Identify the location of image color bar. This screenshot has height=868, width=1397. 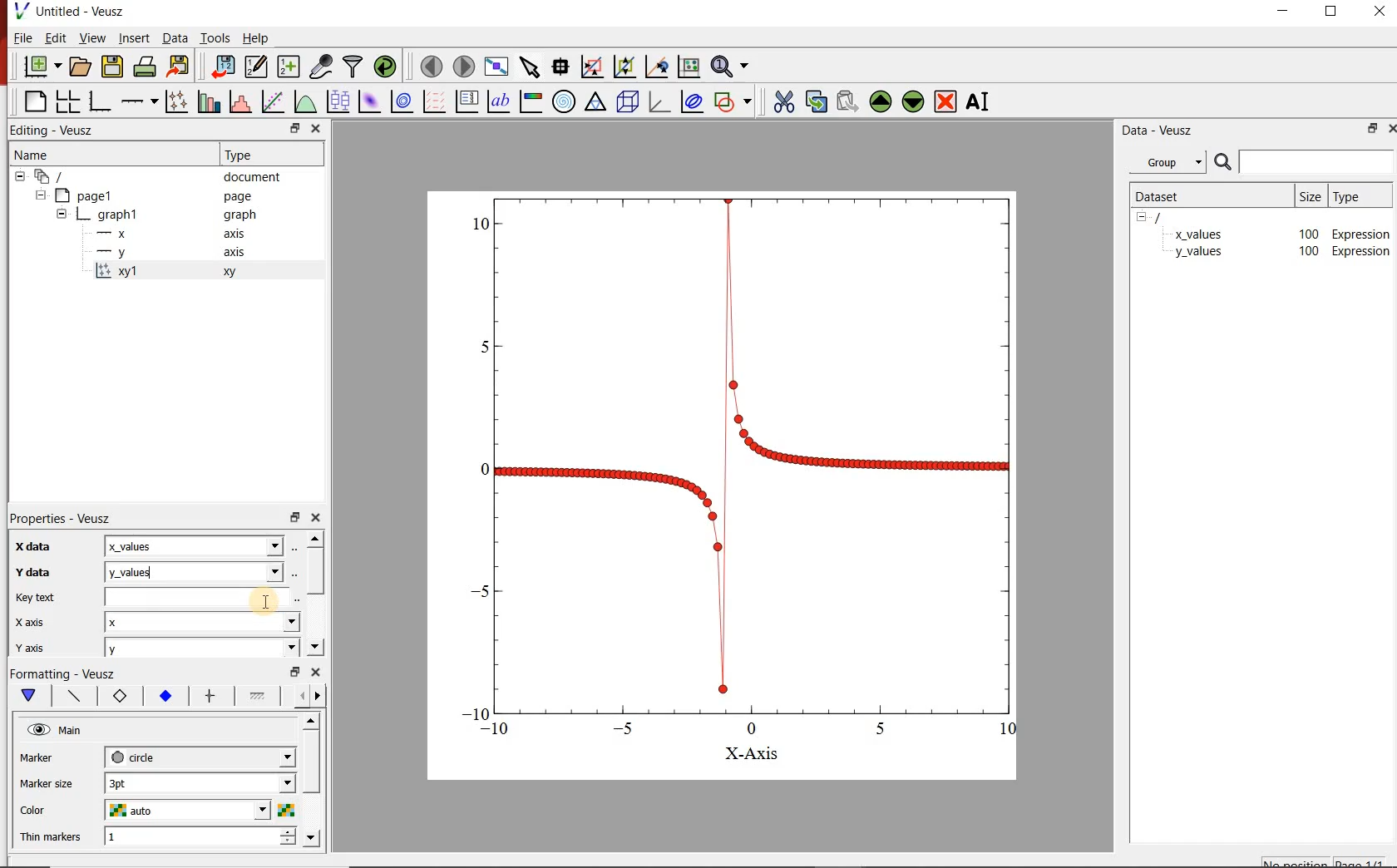
(531, 102).